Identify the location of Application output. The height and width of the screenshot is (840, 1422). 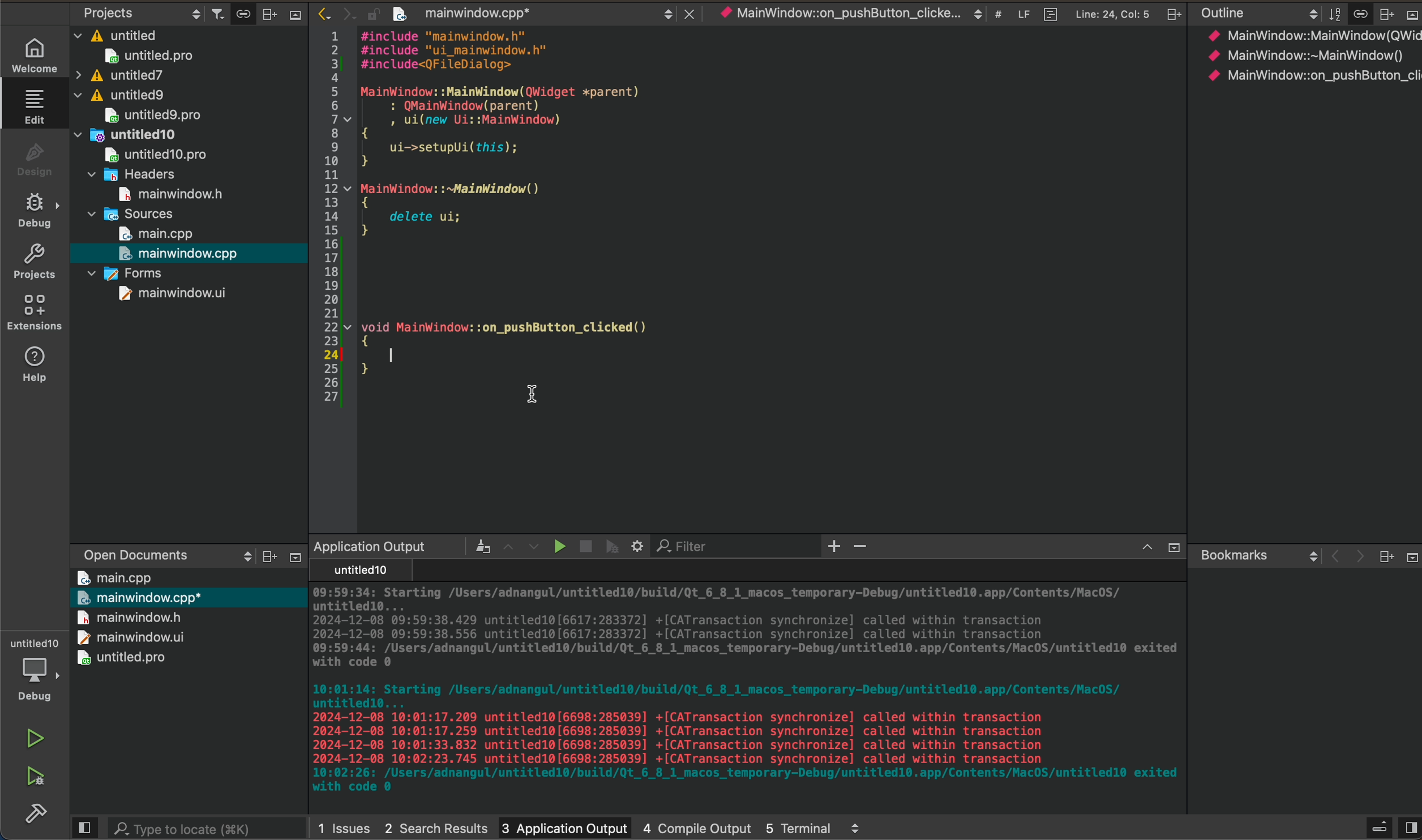
(369, 546).